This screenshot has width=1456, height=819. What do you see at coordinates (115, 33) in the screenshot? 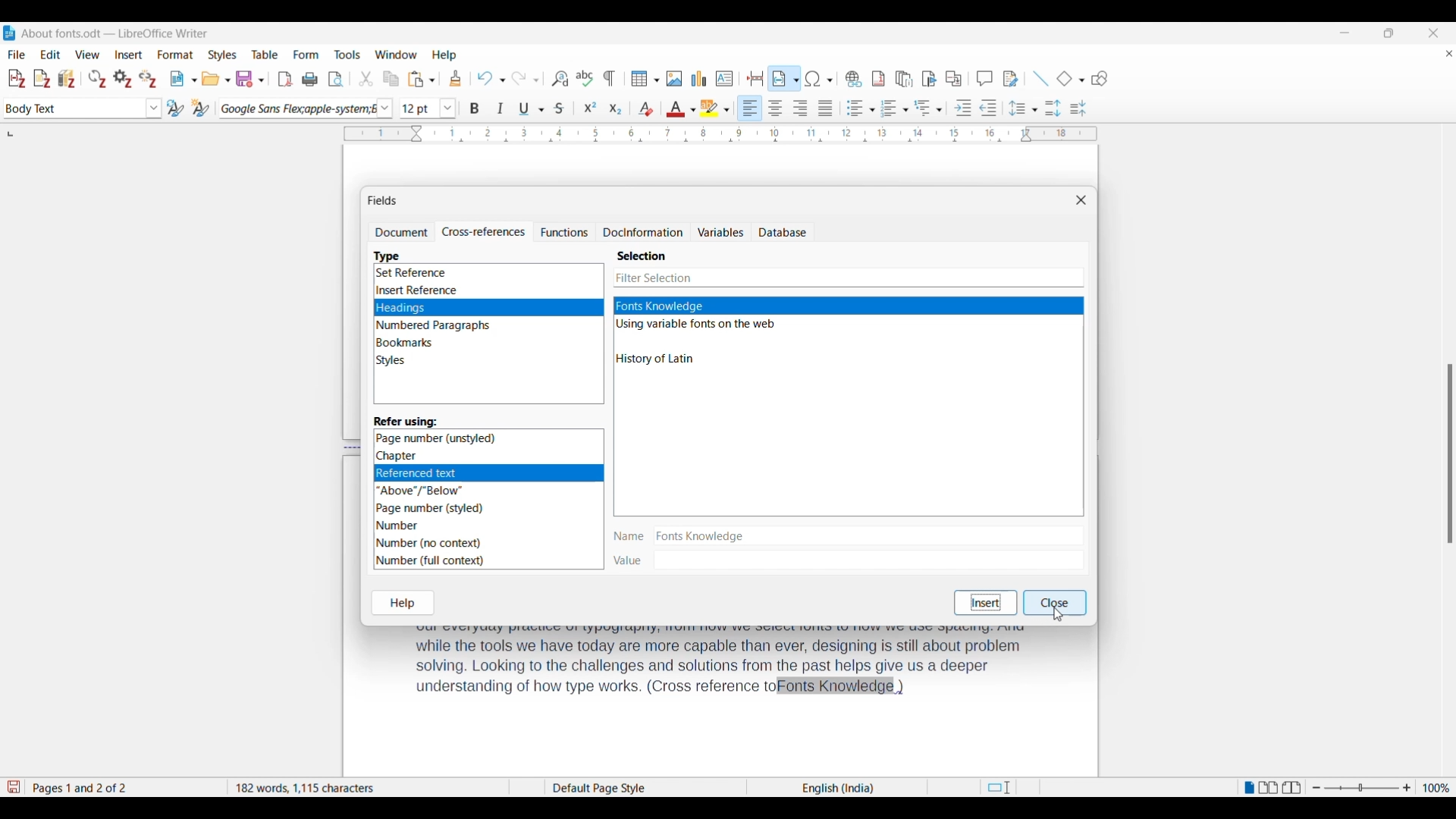
I see `About fonts.odt- LibreOffice Writer` at bounding box center [115, 33].